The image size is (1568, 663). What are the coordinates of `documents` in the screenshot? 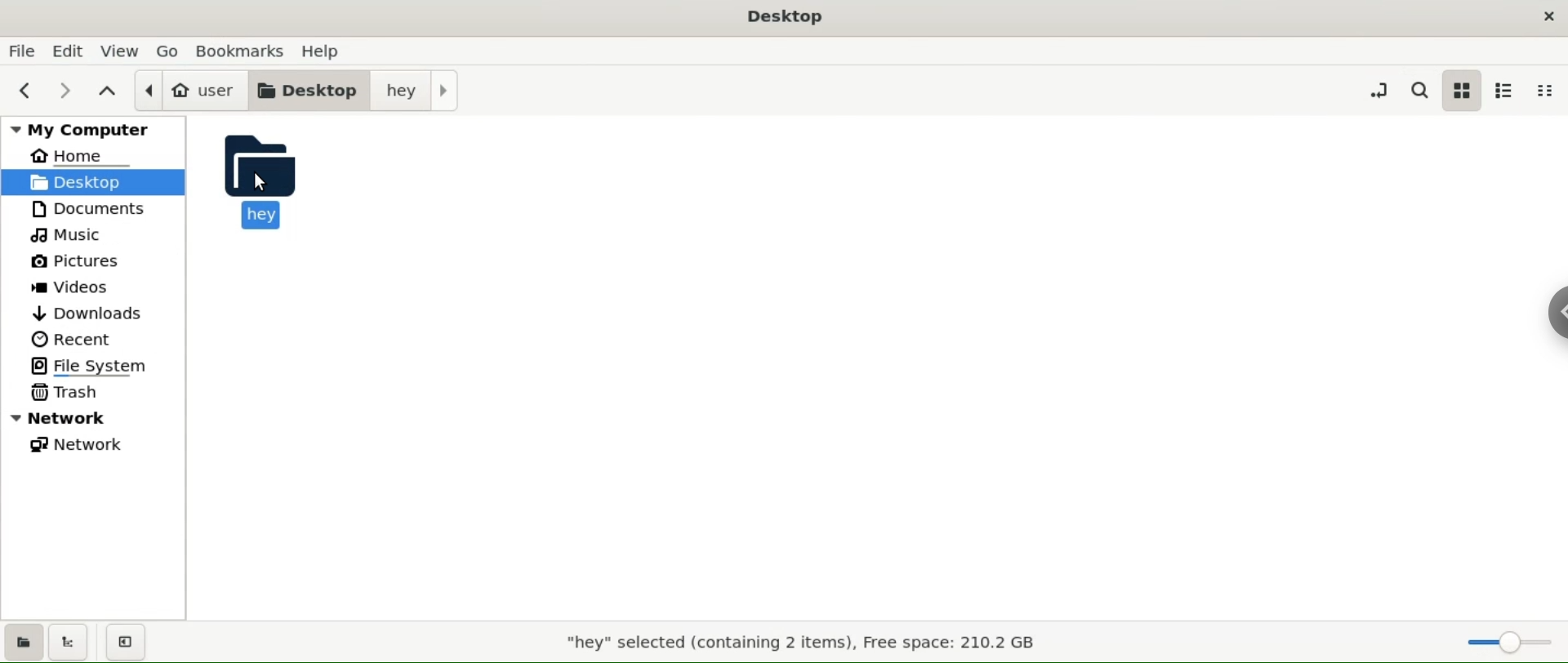 It's located at (88, 211).